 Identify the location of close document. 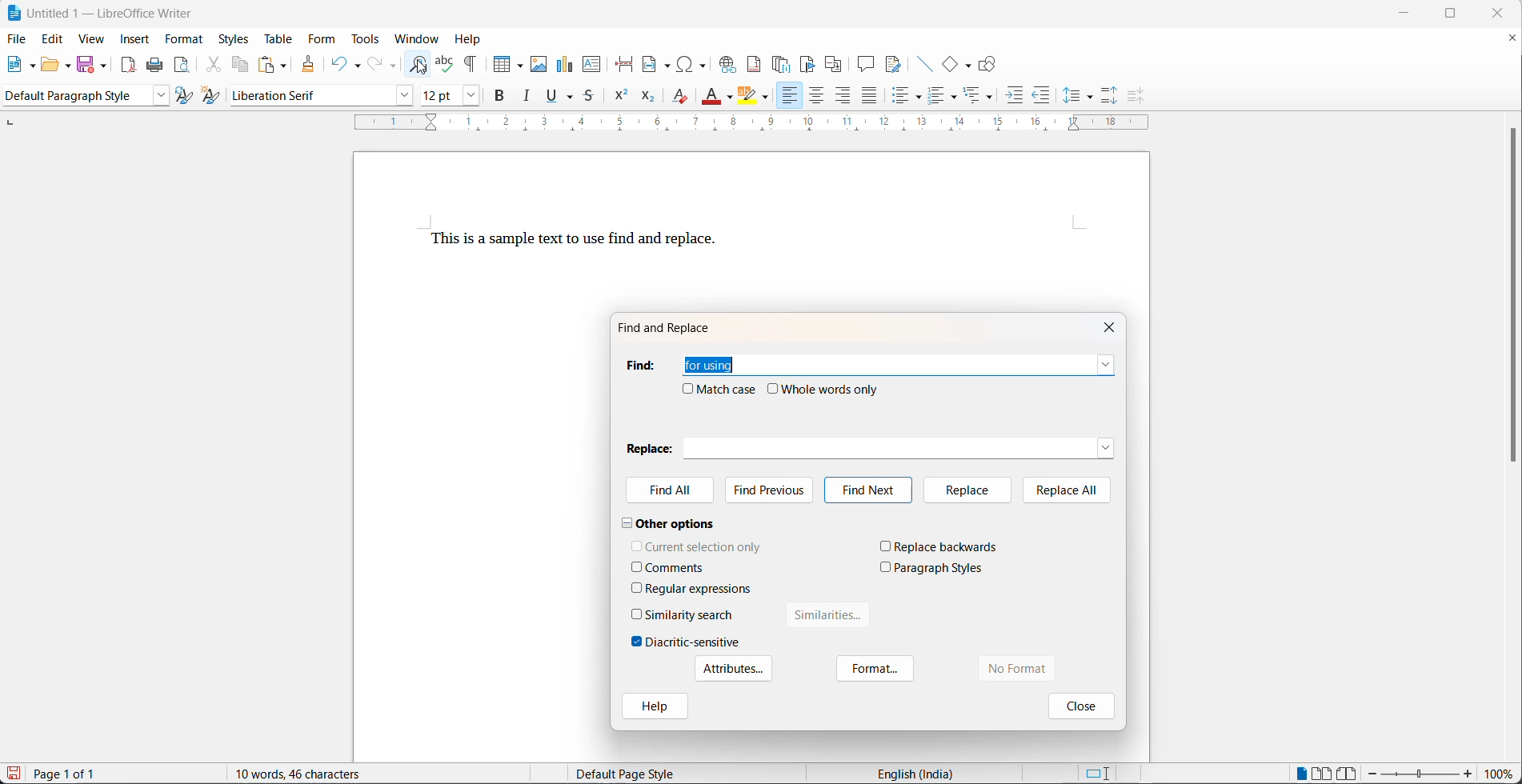
(1512, 41).